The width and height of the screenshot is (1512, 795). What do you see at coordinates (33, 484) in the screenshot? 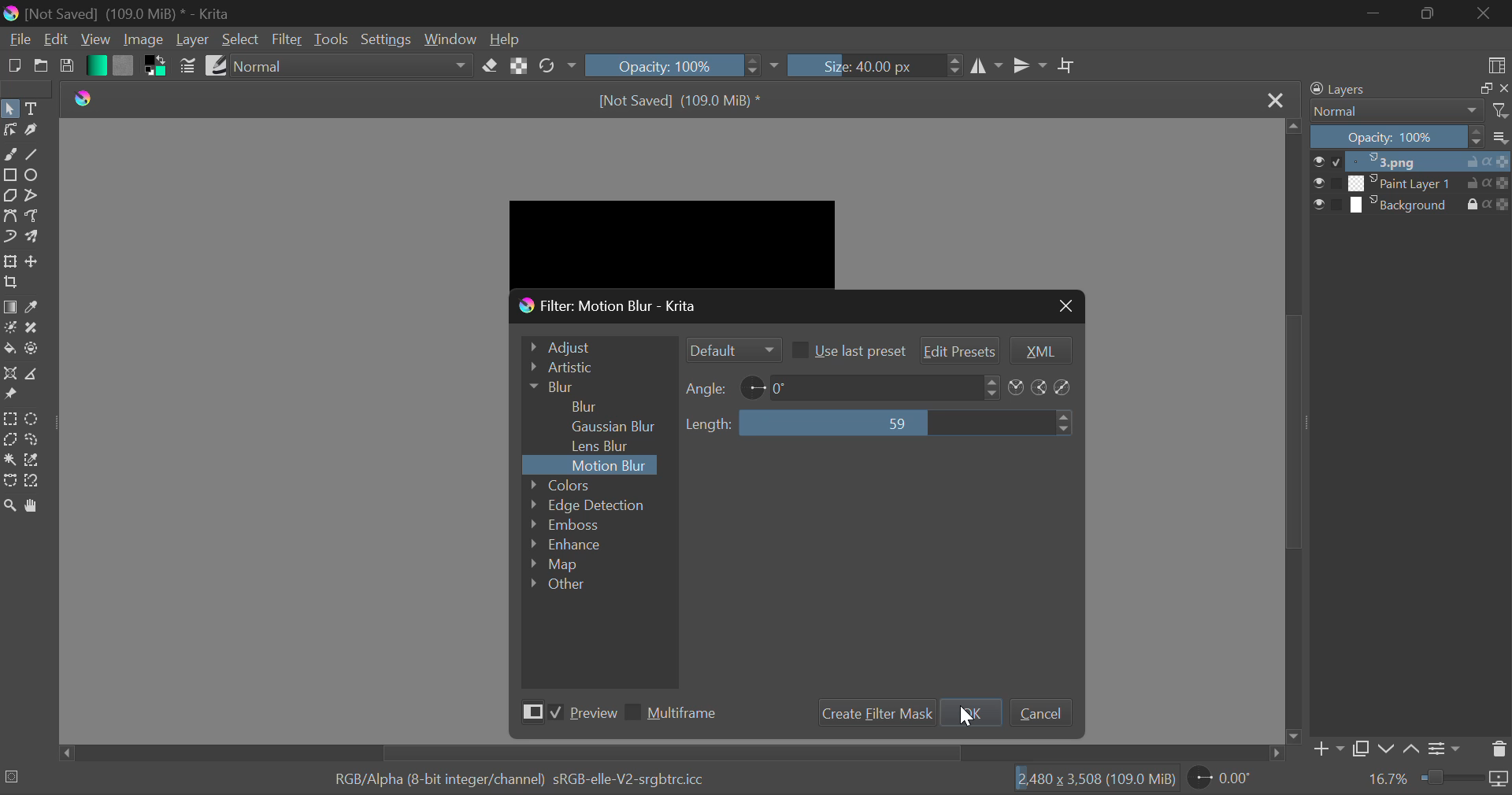
I see `Magnetic Selection Tool` at bounding box center [33, 484].